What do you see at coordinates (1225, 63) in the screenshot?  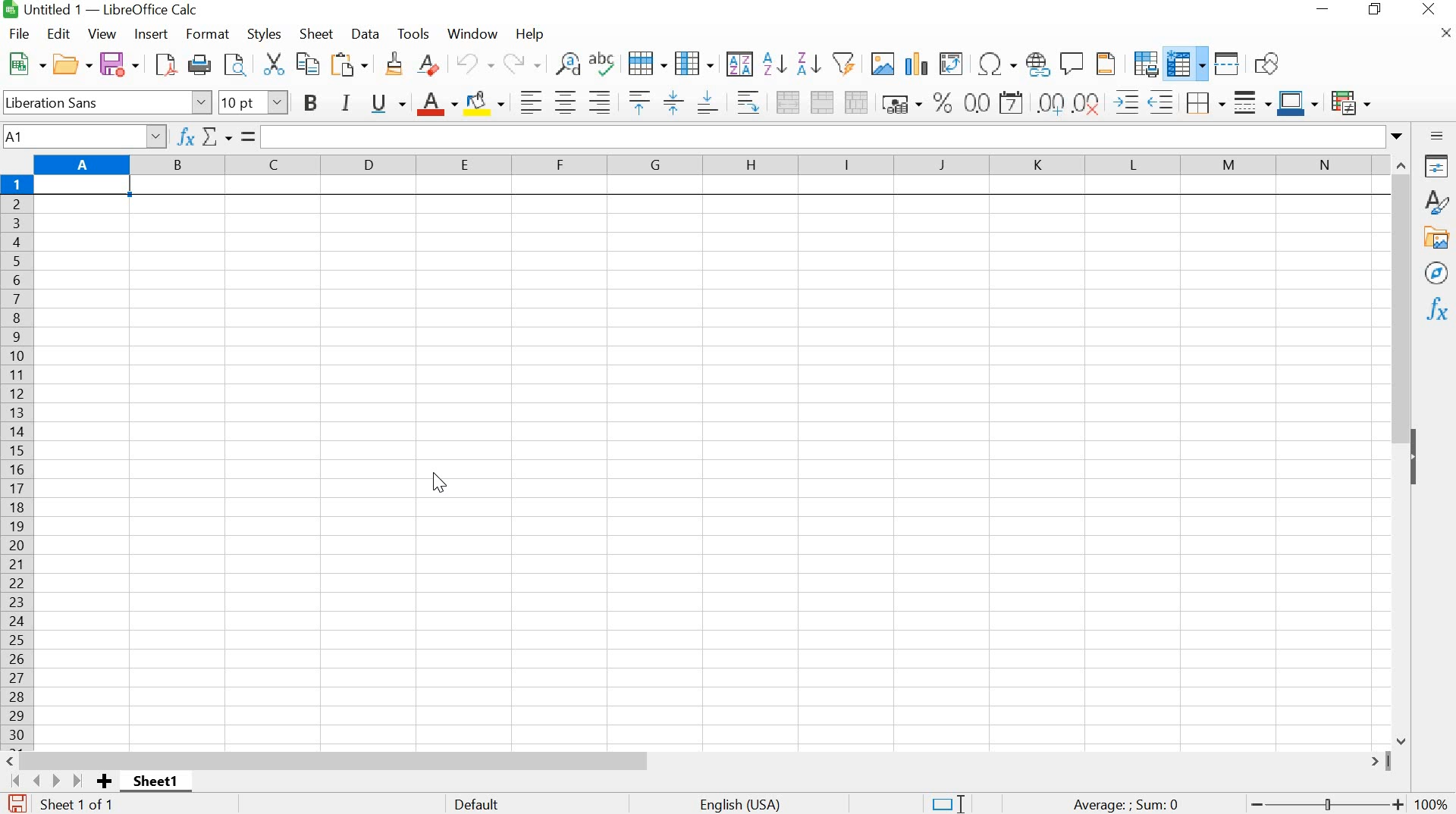 I see `SPLIT WINDOW` at bounding box center [1225, 63].